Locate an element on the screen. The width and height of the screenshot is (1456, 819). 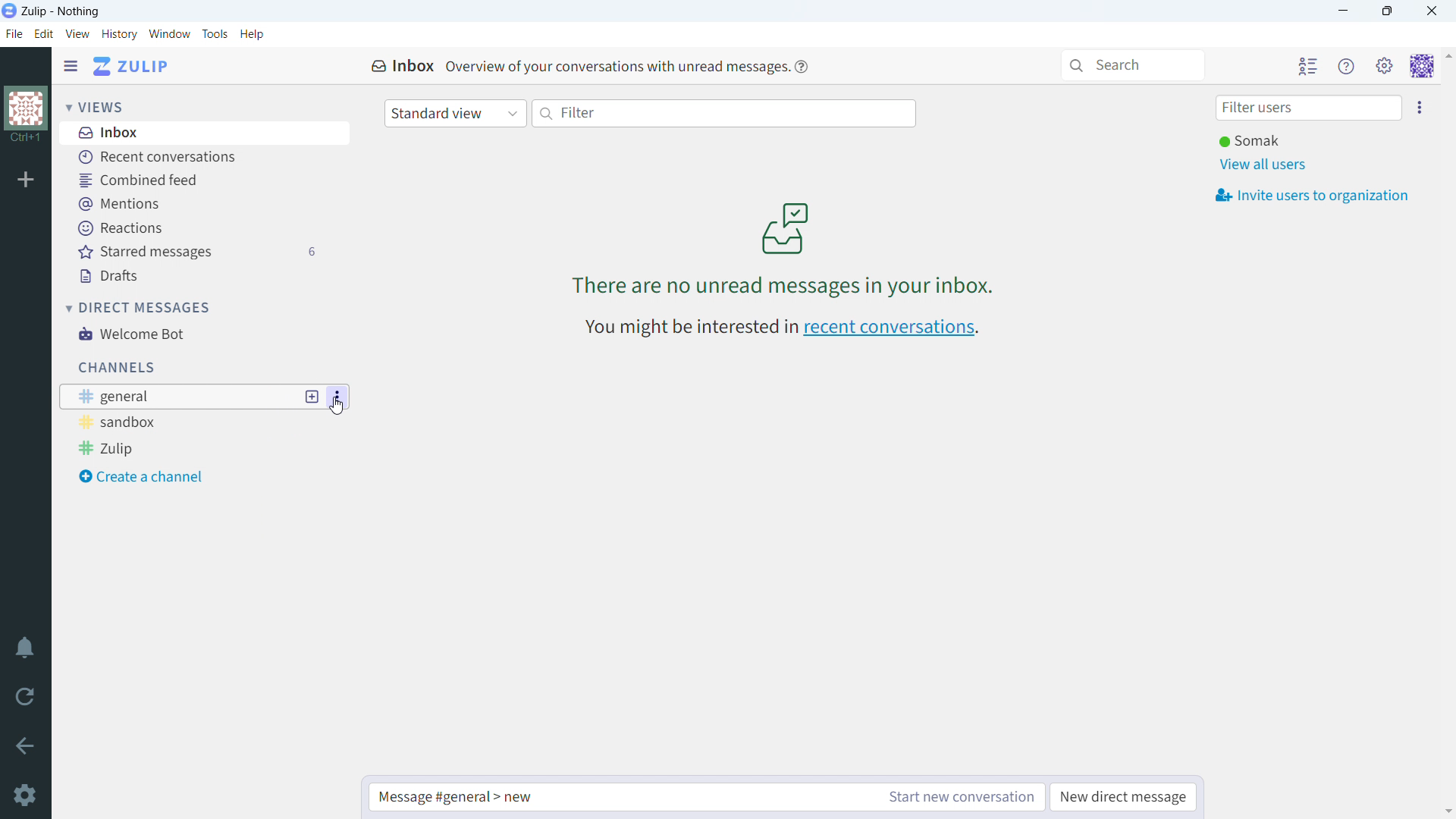
scroll down is located at coordinates (1447, 811).